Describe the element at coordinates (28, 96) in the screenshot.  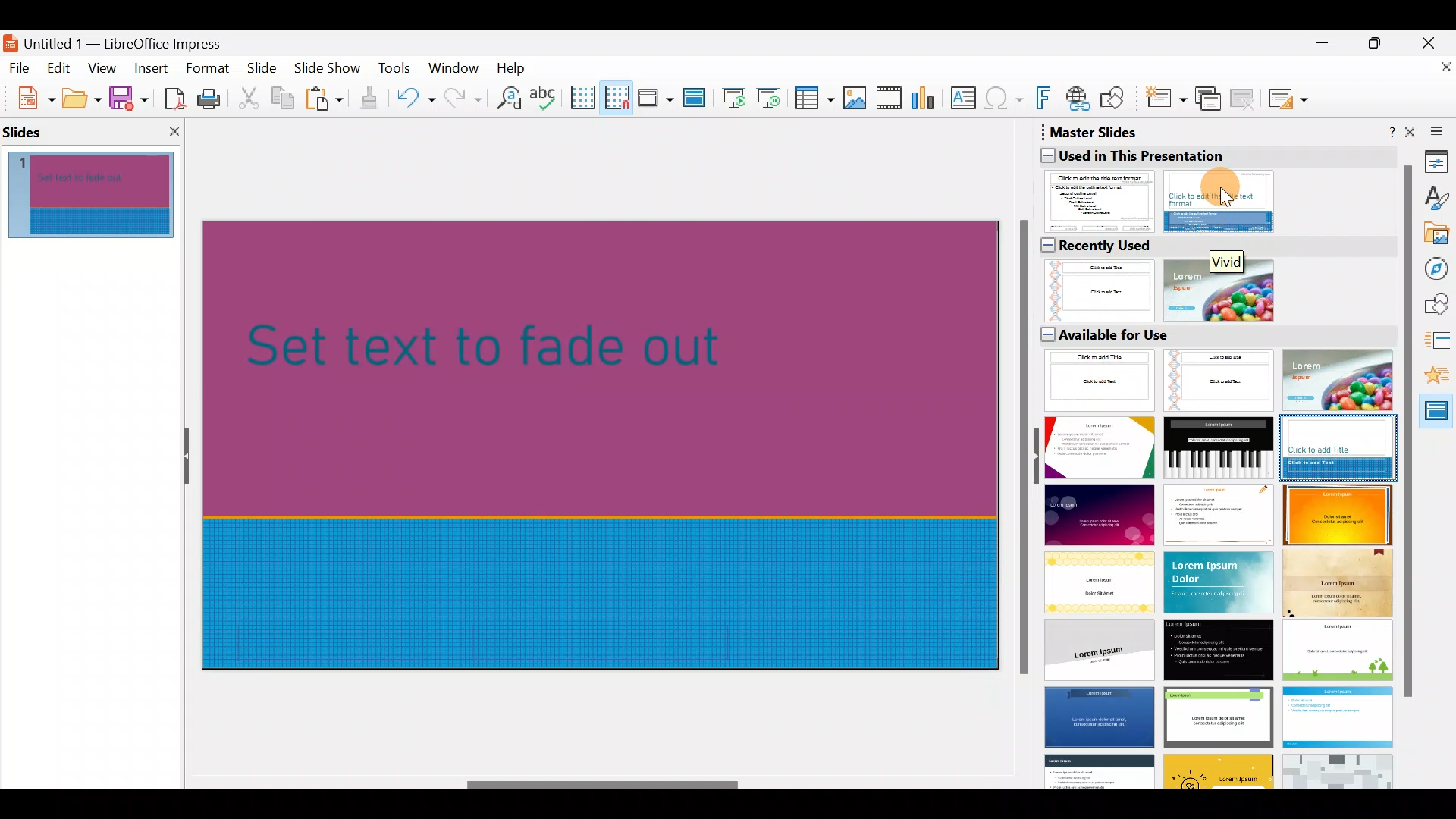
I see `New` at that location.